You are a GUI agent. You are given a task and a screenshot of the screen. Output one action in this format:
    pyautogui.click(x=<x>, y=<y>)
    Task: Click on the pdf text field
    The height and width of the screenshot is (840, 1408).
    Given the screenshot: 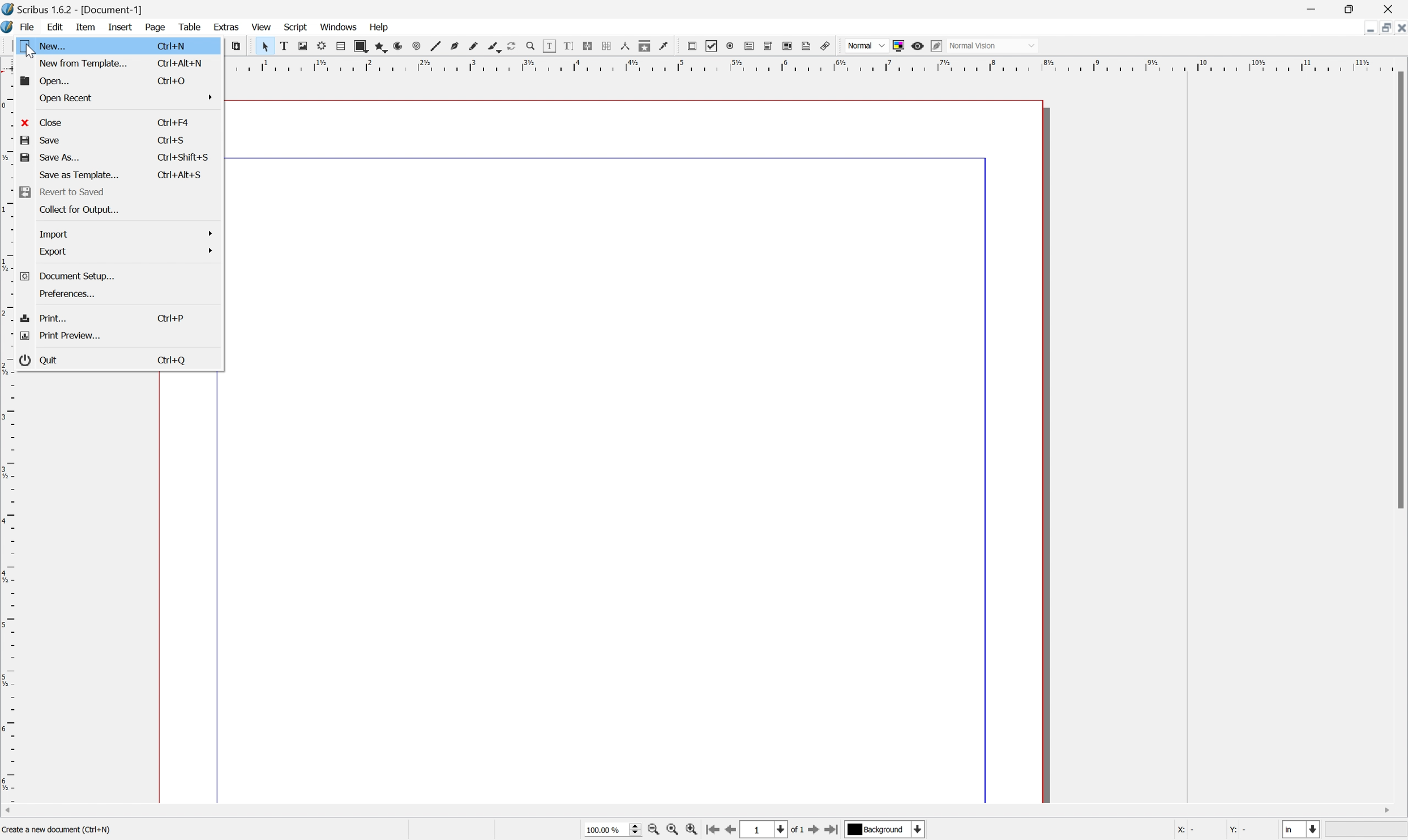 What is the action you would take?
    pyautogui.click(x=751, y=45)
    